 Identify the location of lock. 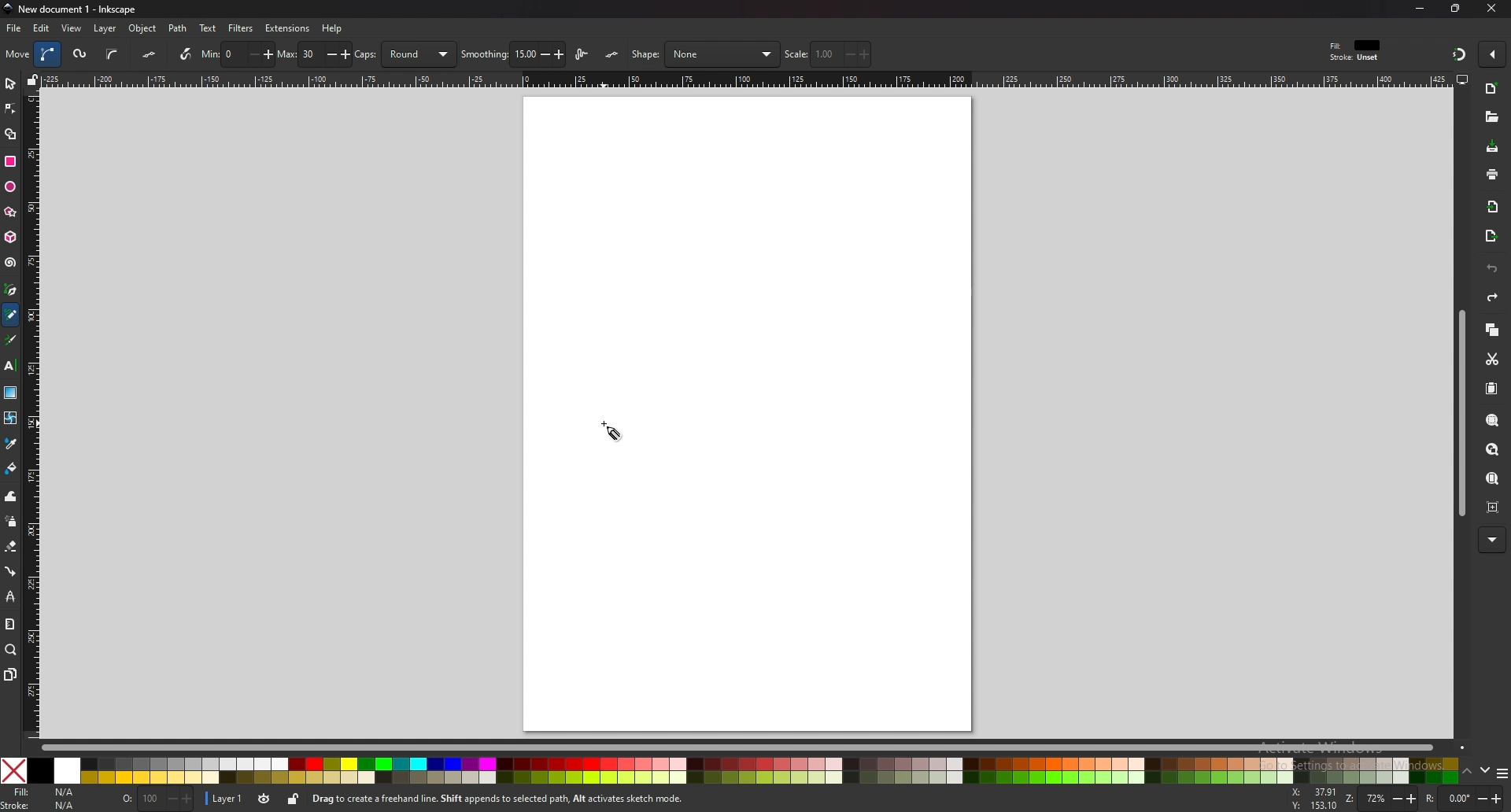
(294, 799).